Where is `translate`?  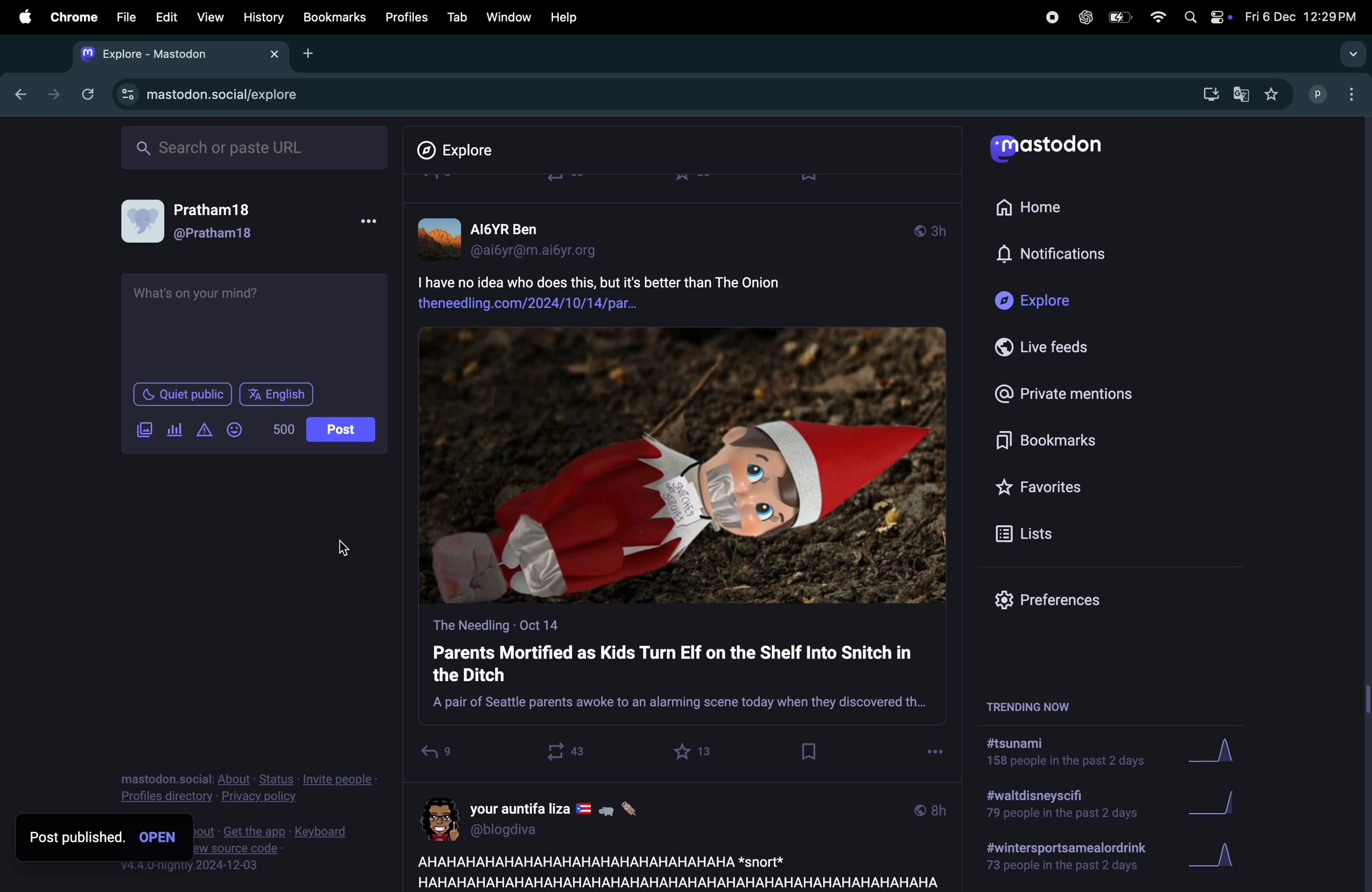 translate is located at coordinates (1241, 96).